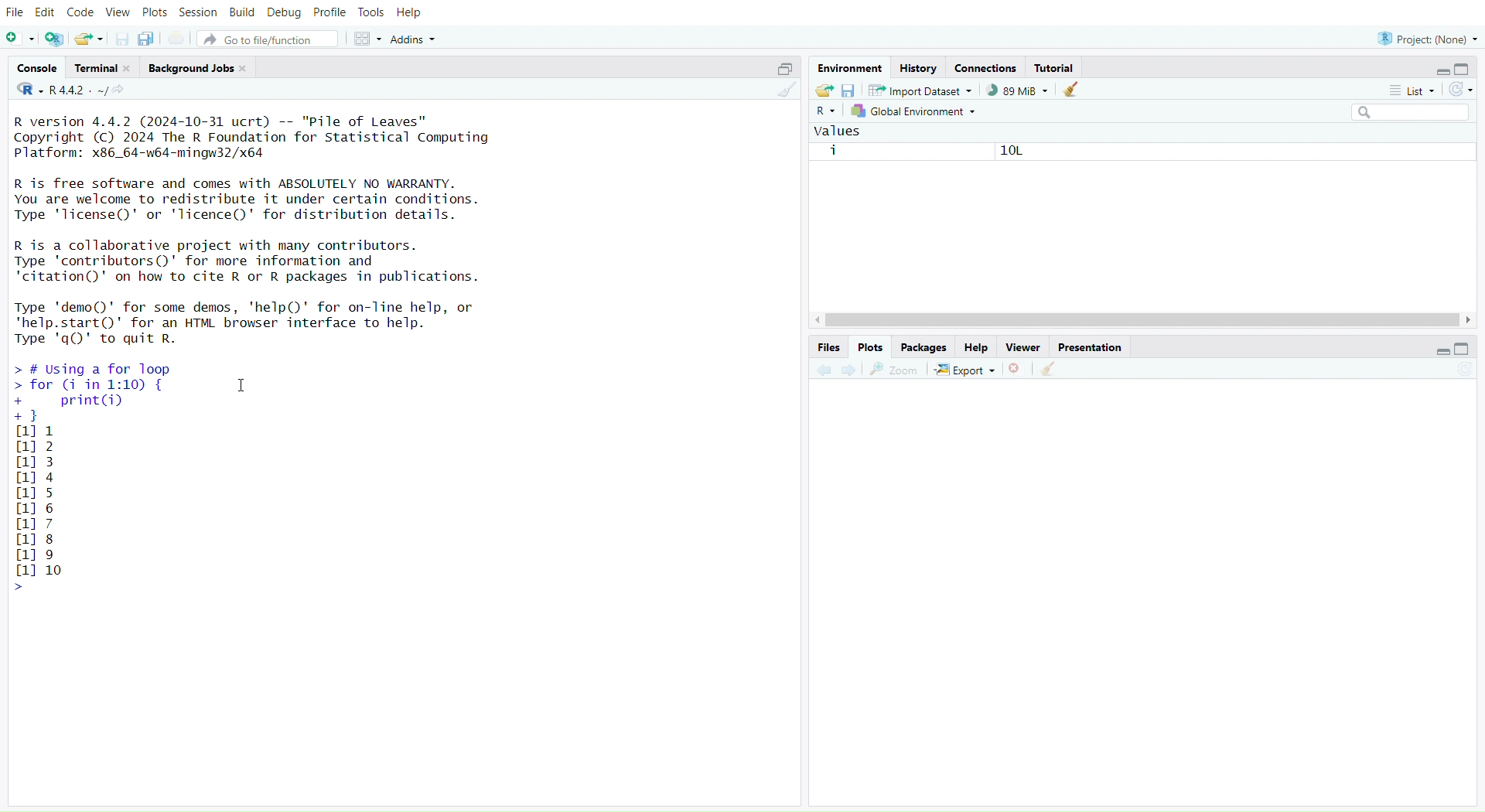 This screenshot has height=812, width=1485. What do you see at coordinates (824, 370) in the screenshot?
I see `backward` at bounding box center [824, 370].